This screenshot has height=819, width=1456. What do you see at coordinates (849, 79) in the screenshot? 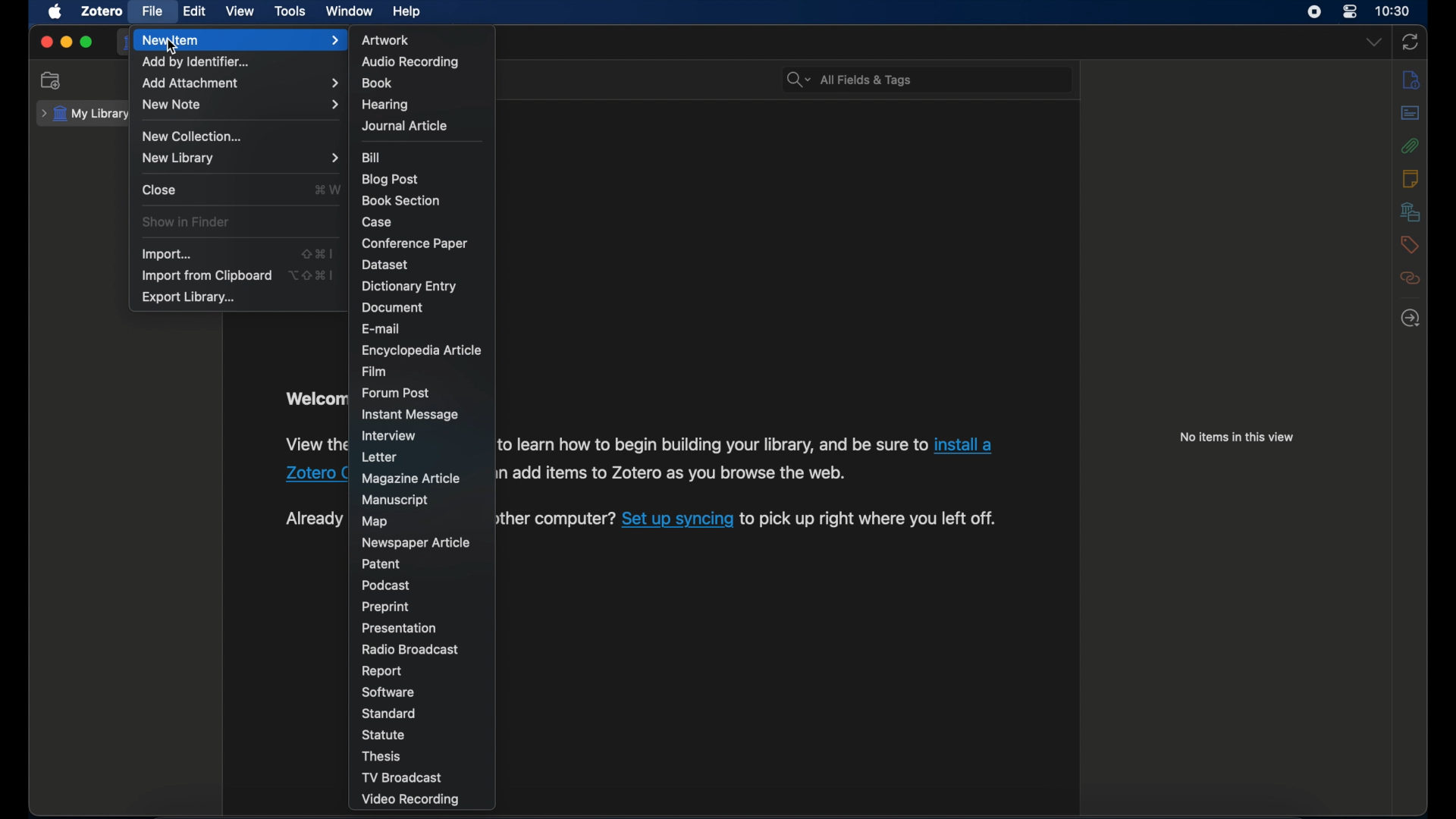
I see `all fields & tags` at bounding box center [849, 79].